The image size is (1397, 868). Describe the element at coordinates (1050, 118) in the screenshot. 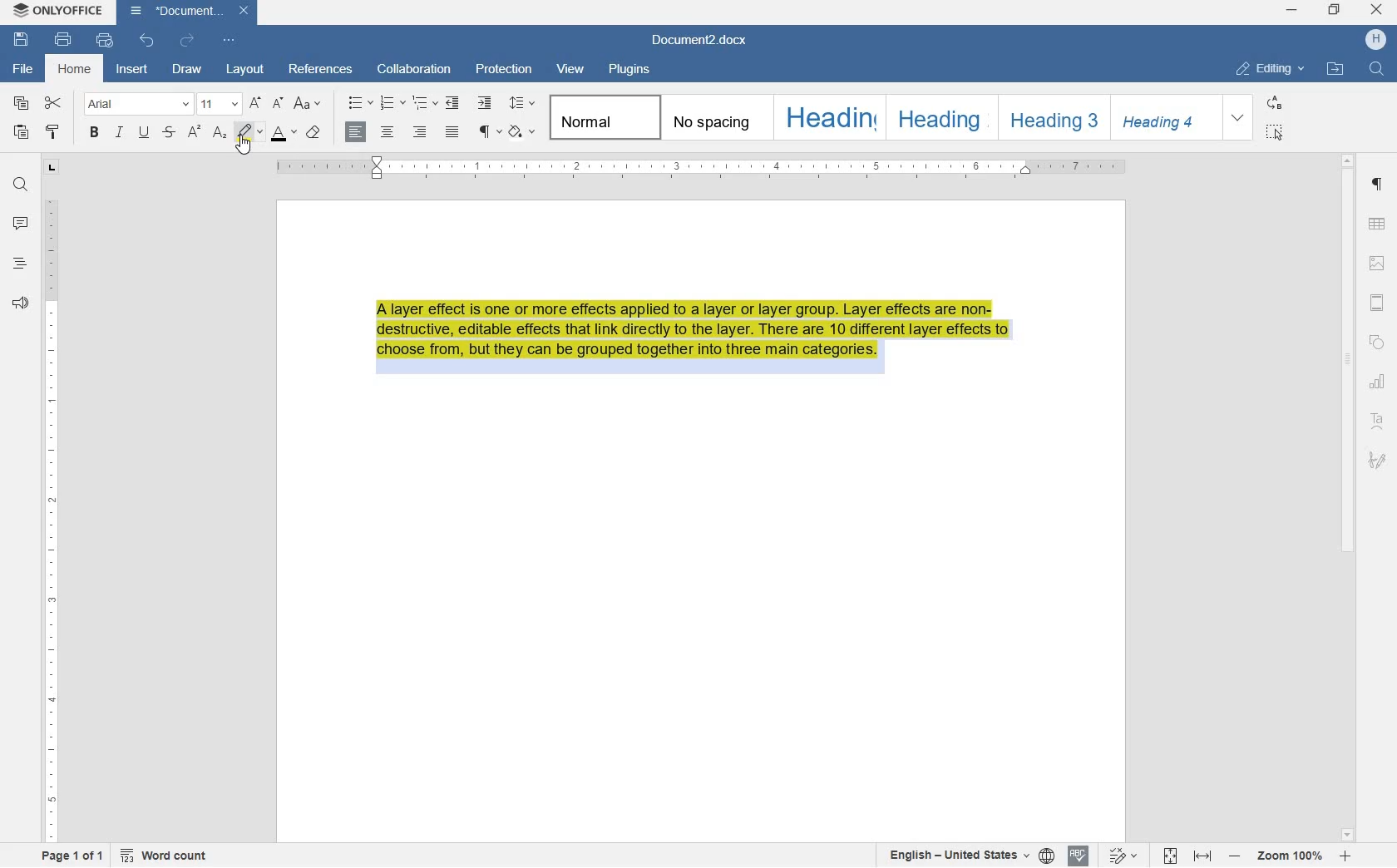

I see `HEADING 3` at that location.